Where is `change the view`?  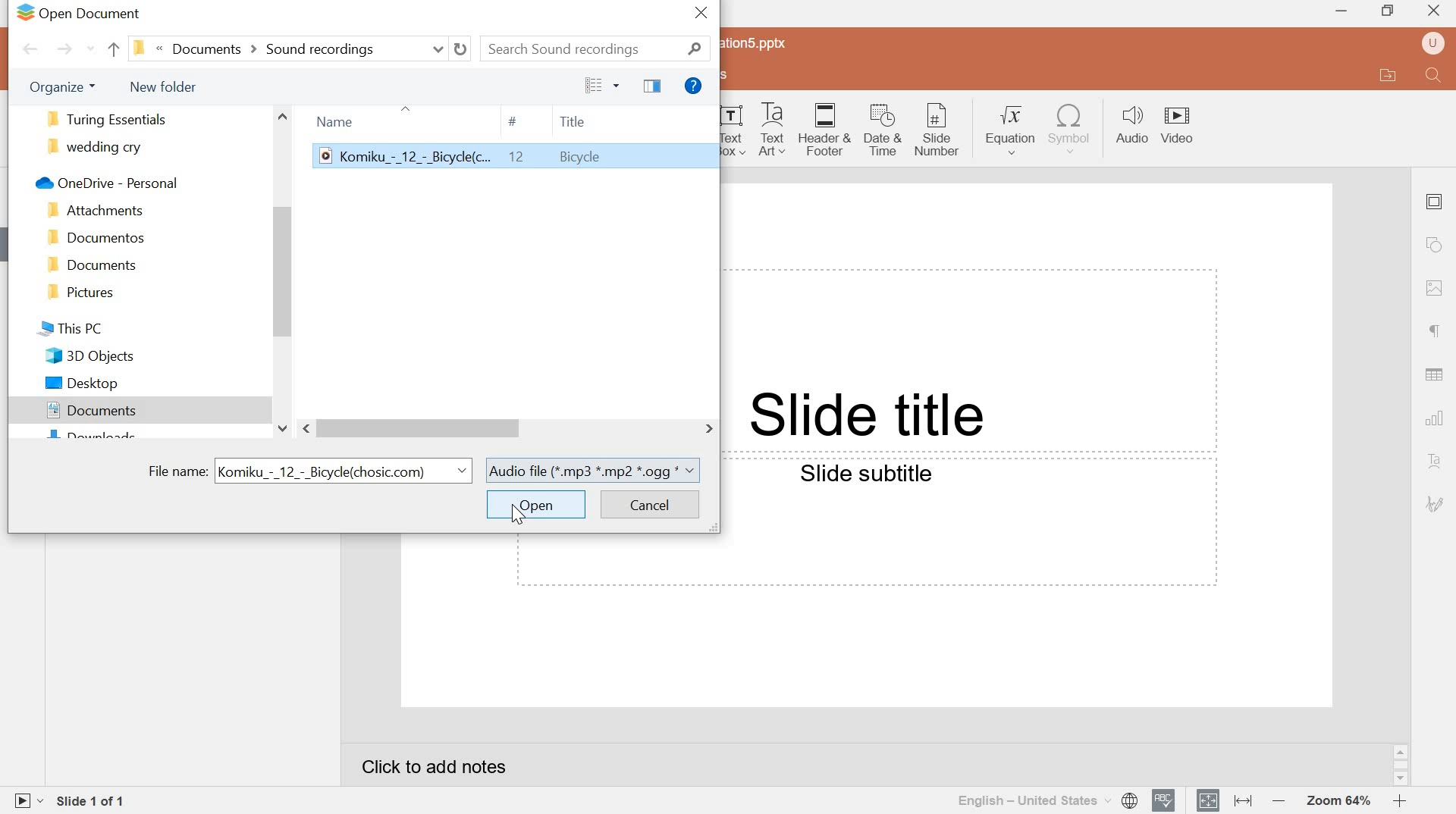 change the view is located at coordinates (593, 86).